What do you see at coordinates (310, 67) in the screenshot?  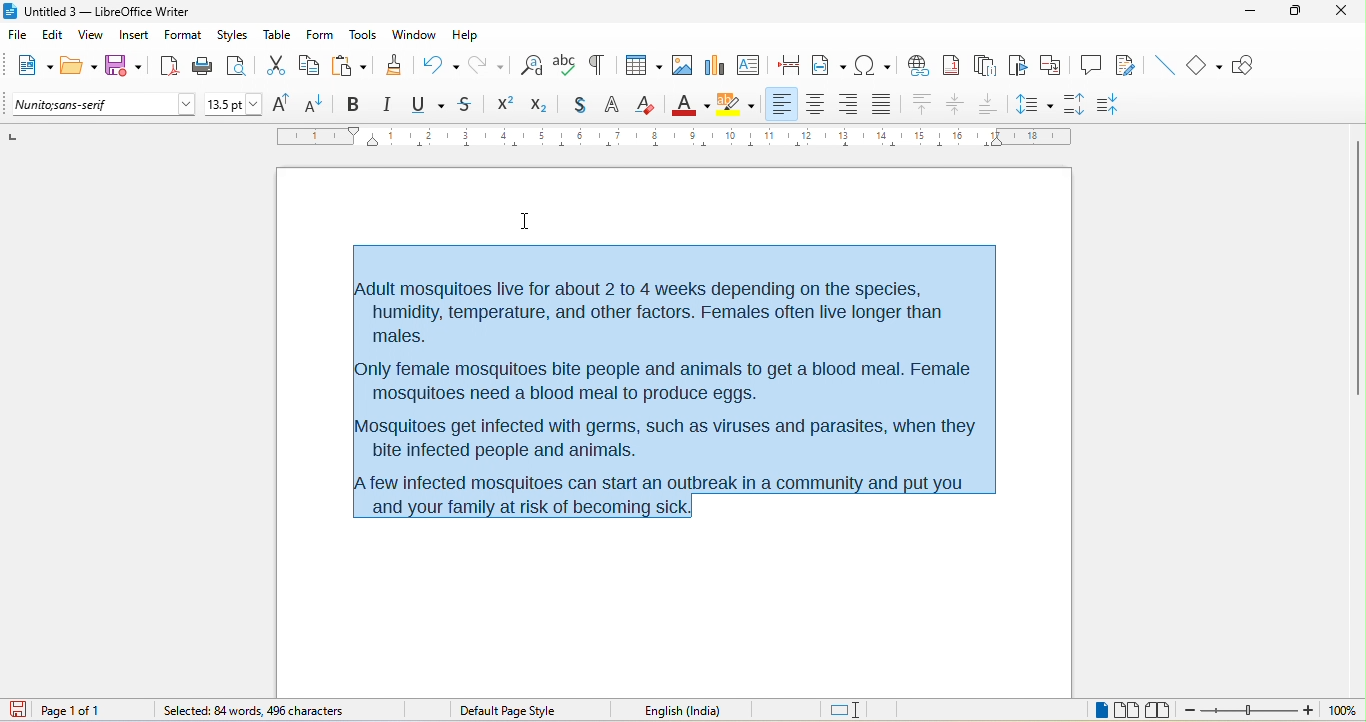 I see `copy` at bounding box center [310, 67].